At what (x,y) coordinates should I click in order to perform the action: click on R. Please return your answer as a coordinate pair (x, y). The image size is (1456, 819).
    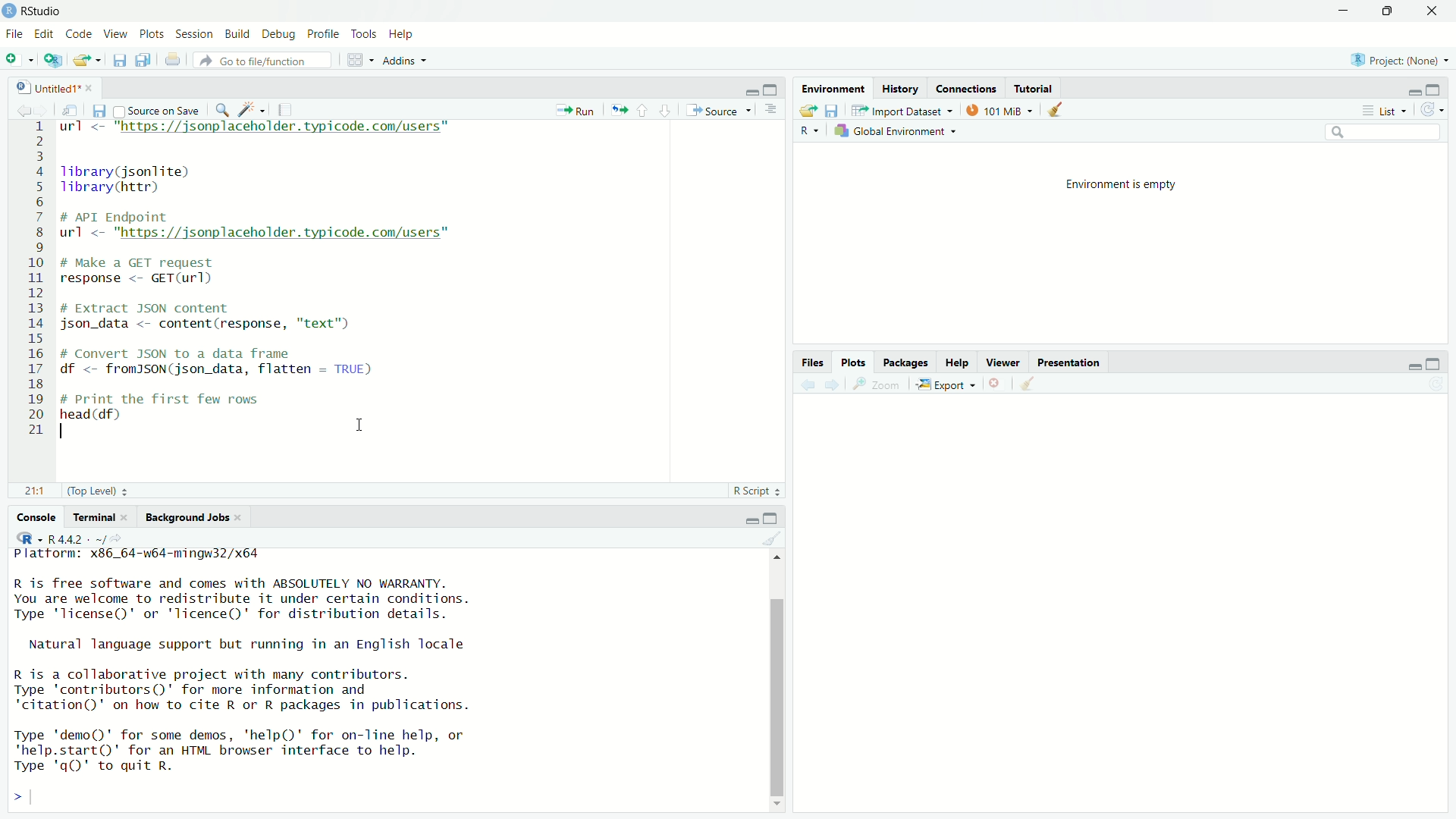
    Looking at the image, I should click on (810, 131).